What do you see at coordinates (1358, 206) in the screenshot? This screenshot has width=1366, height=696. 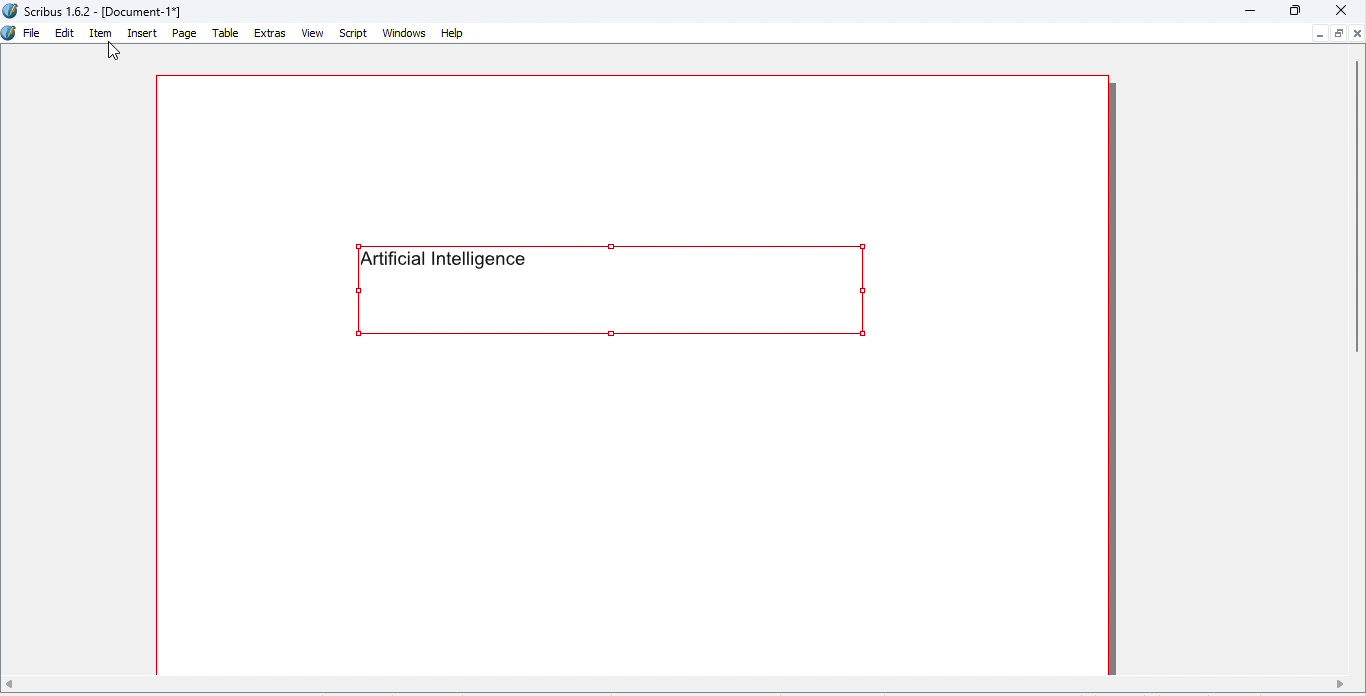 I see `Vertical scroll bar` at bounding box center [1358, 206].